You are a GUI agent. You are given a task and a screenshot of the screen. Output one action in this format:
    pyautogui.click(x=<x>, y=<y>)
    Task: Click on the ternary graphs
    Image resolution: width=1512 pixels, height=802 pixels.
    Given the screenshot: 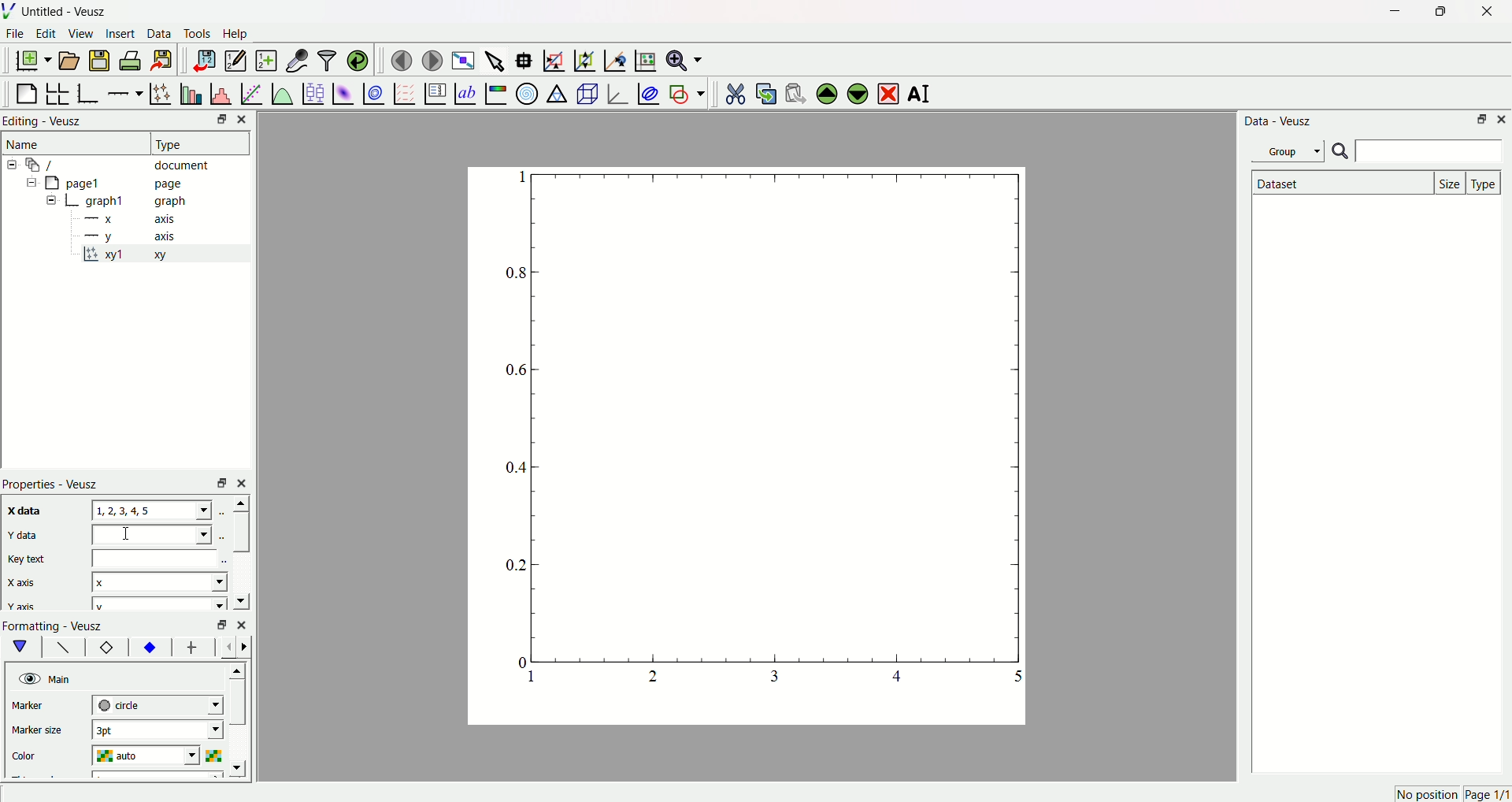 What is the action you would take?
    pyautogui.click(x=556, y=91)
    